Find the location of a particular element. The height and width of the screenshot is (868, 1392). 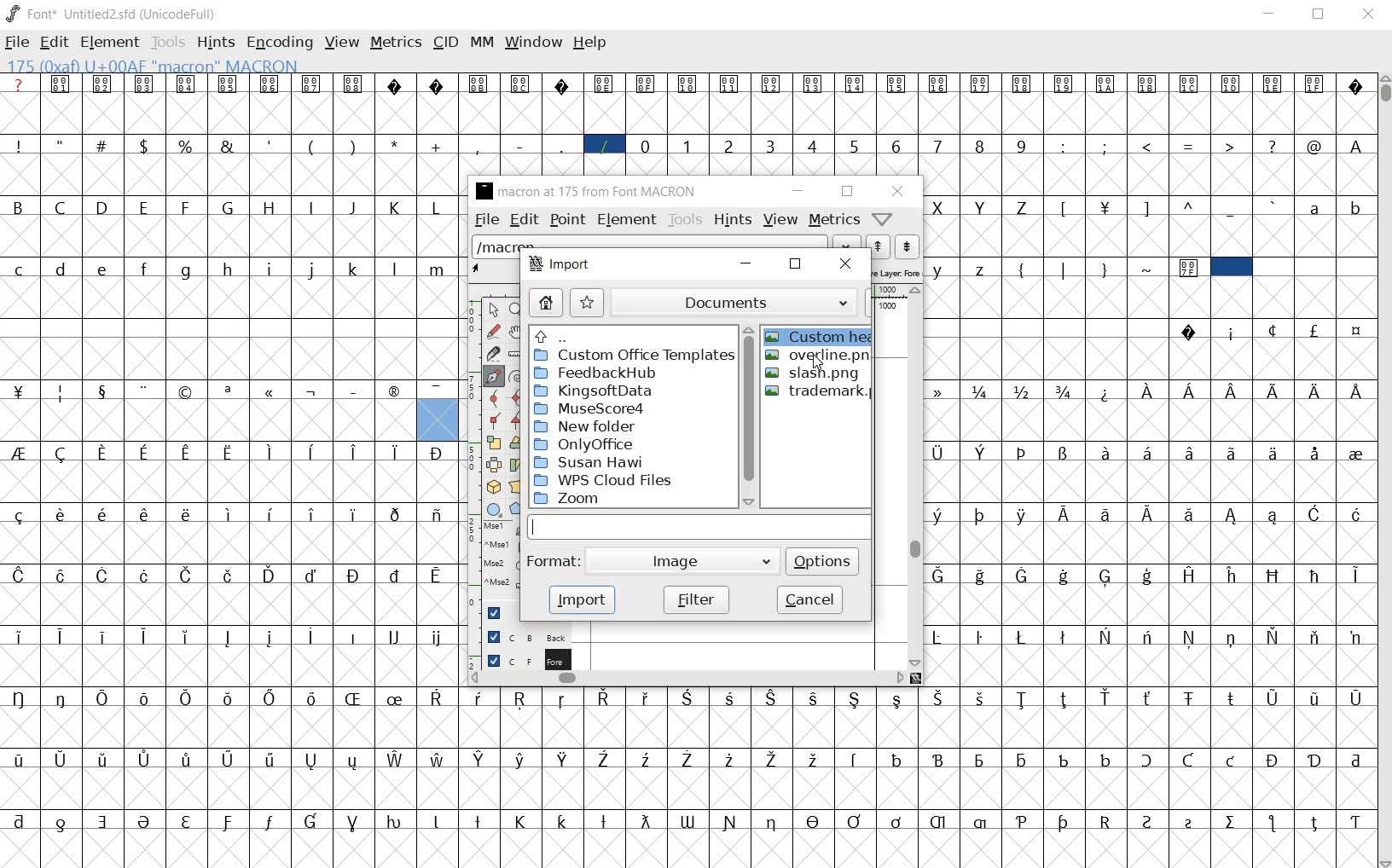

h is located at coordinates (229, 268).